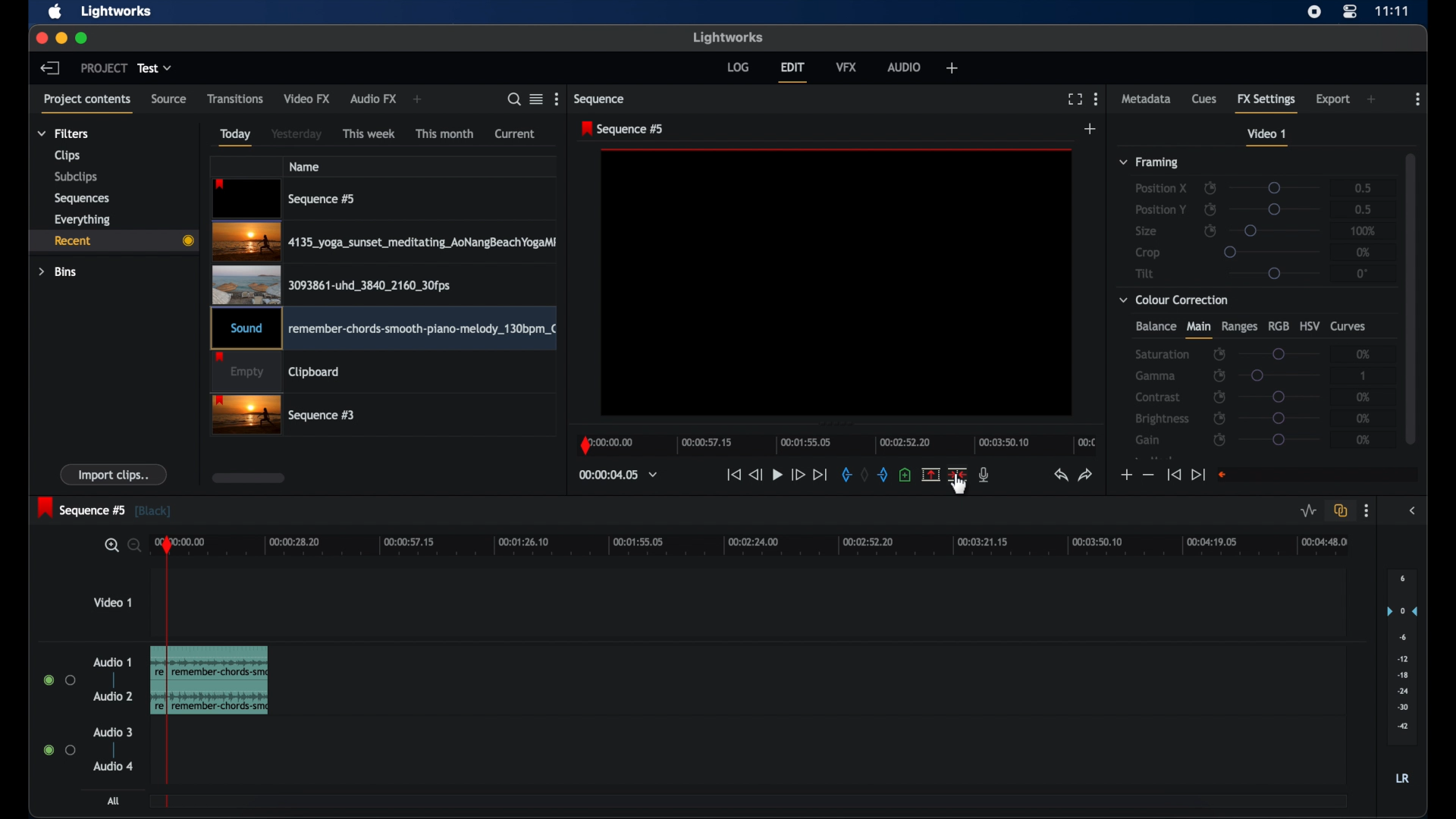 Image resolution: width=1456 pixels, height=819 pixels. What do you see at coordinates (957, 475) in the screenshot?
I see `split` at bounding box center [957, 475].